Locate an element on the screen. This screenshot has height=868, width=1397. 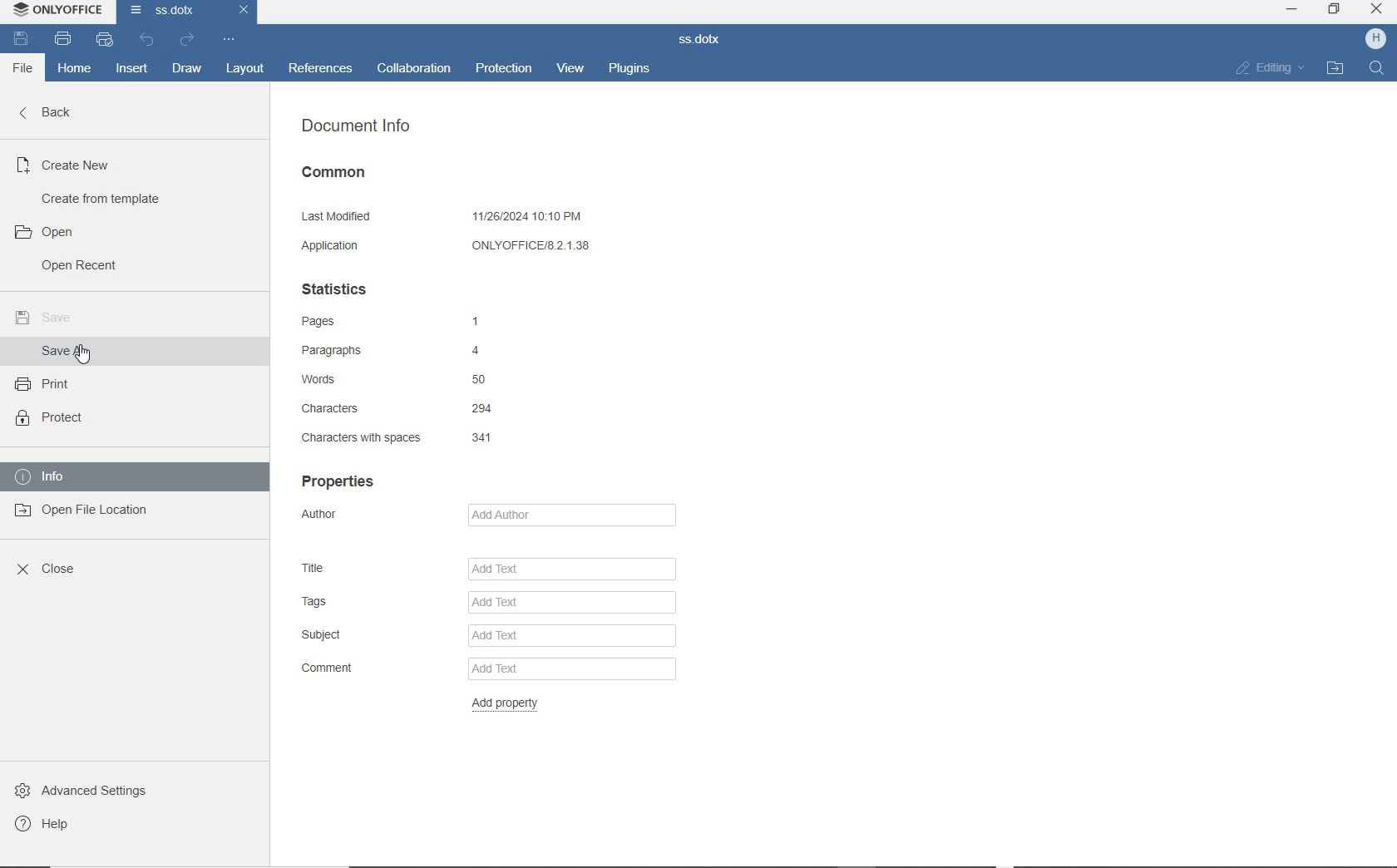
SAVE is located at coordinates (23, 39).